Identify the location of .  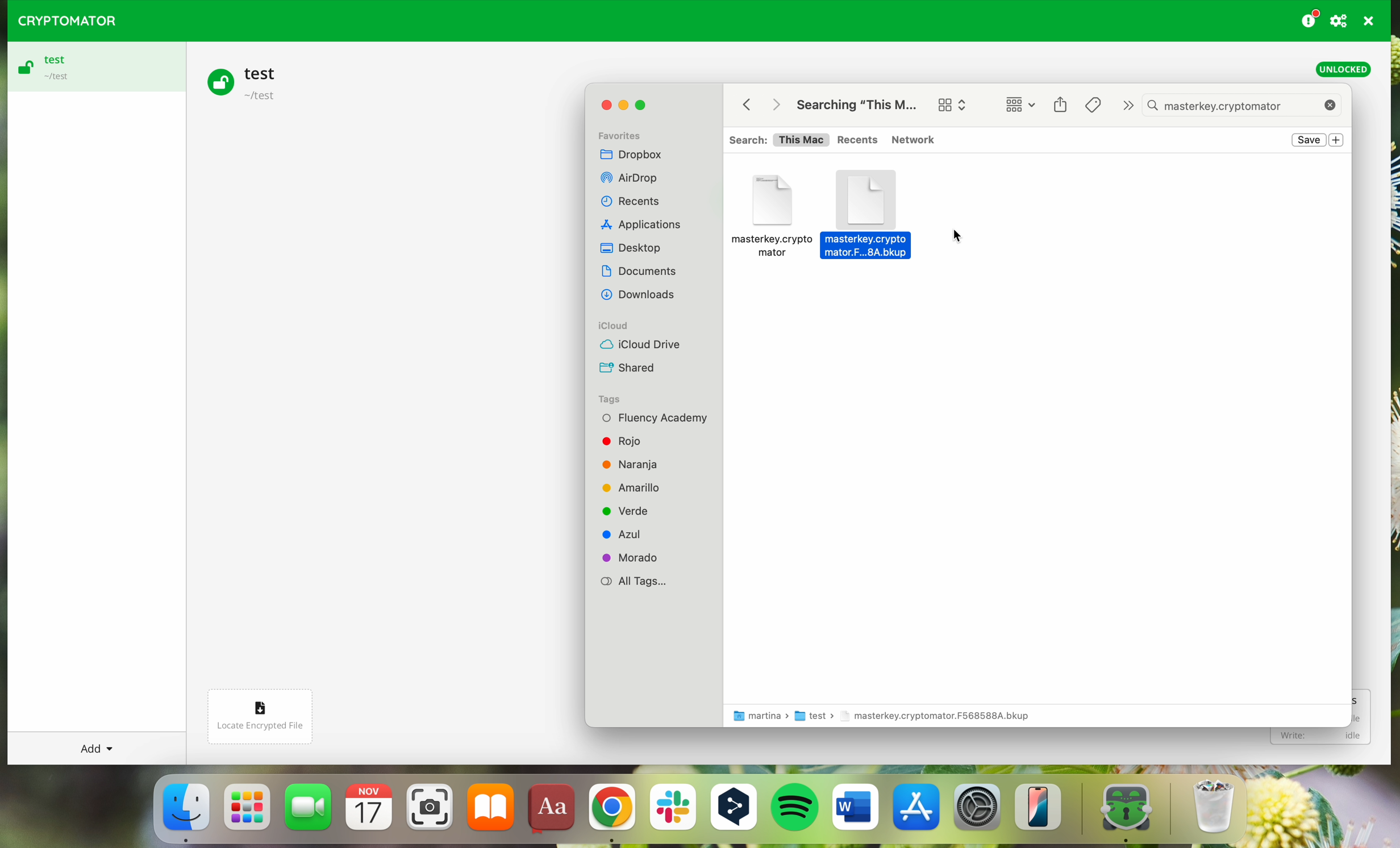
(776, 104).